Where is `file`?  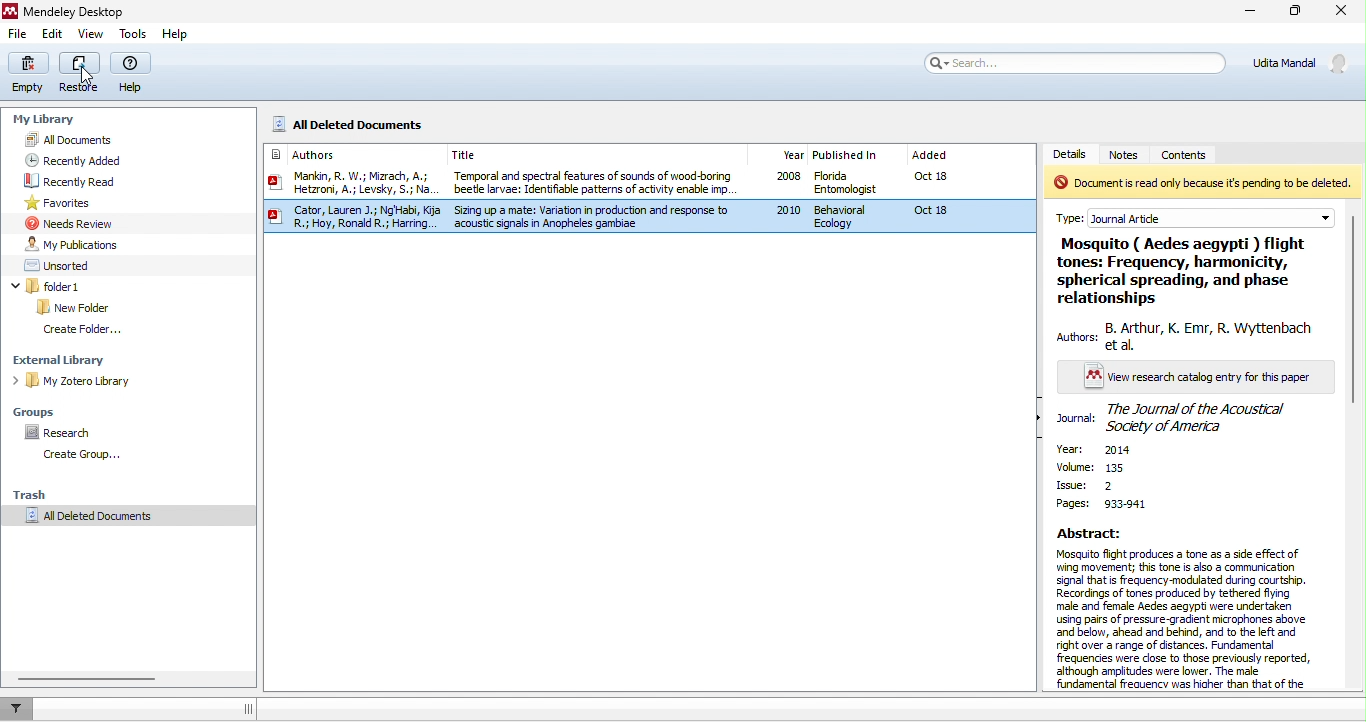 file is located at coordinates (18, 34).